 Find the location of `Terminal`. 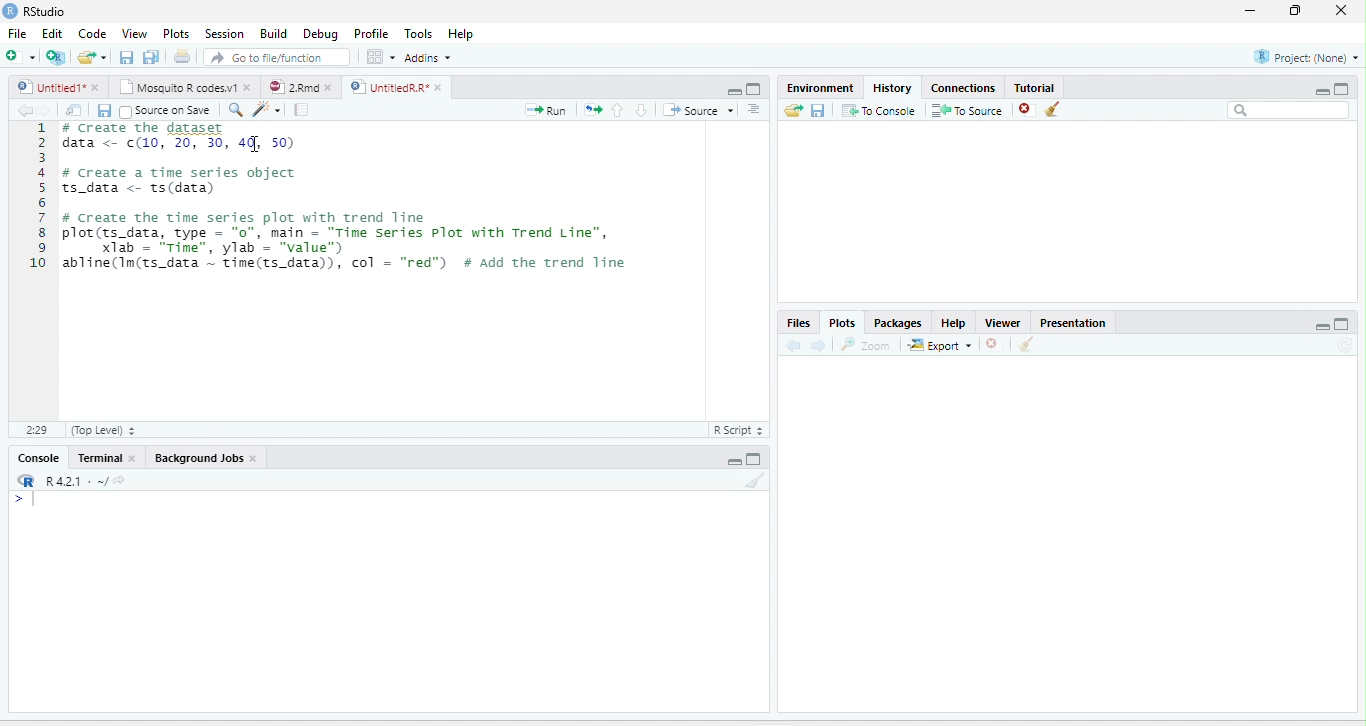

Terminal is located at coordinates (97, 458).